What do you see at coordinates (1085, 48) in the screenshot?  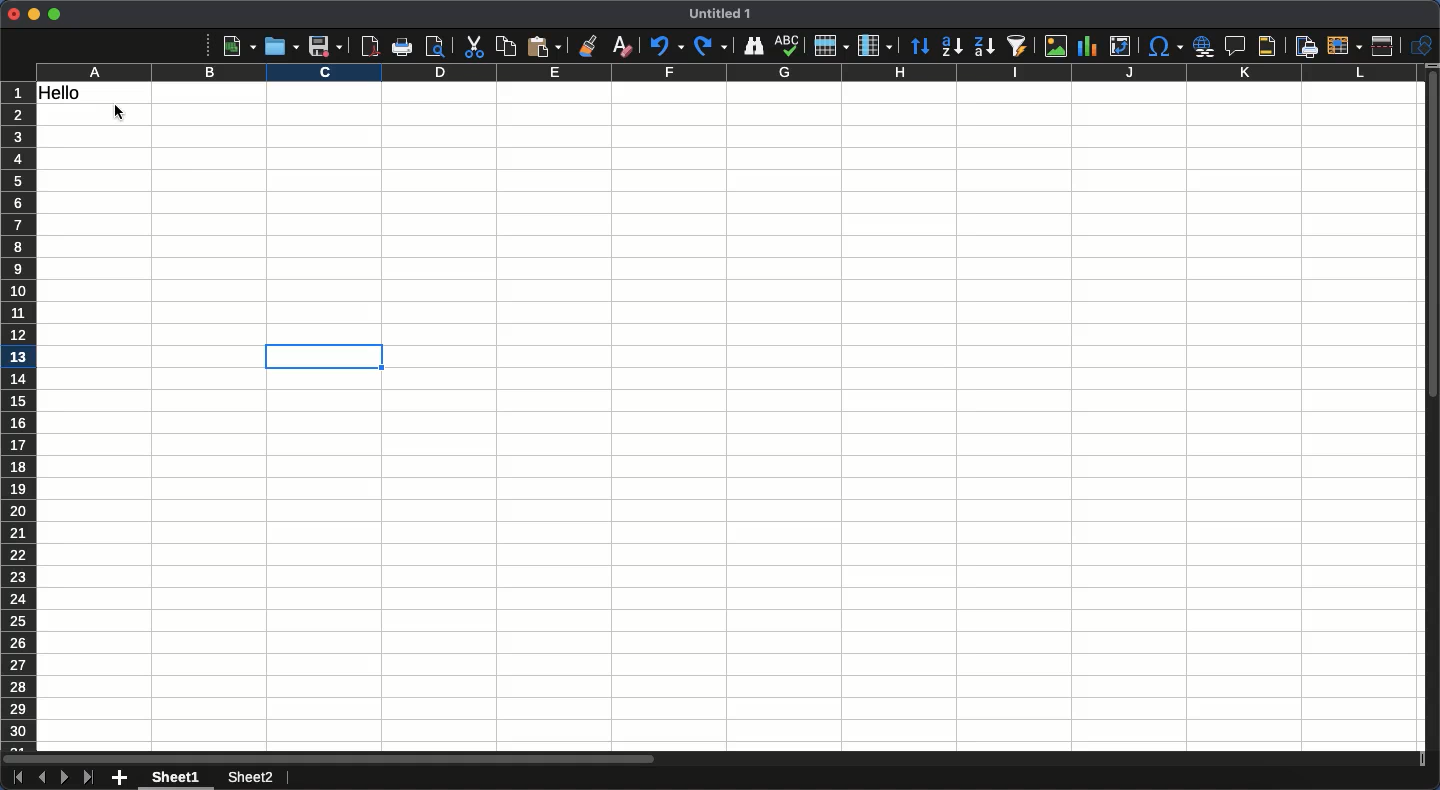 I see `Chart` at bounding box center [1085, 48].